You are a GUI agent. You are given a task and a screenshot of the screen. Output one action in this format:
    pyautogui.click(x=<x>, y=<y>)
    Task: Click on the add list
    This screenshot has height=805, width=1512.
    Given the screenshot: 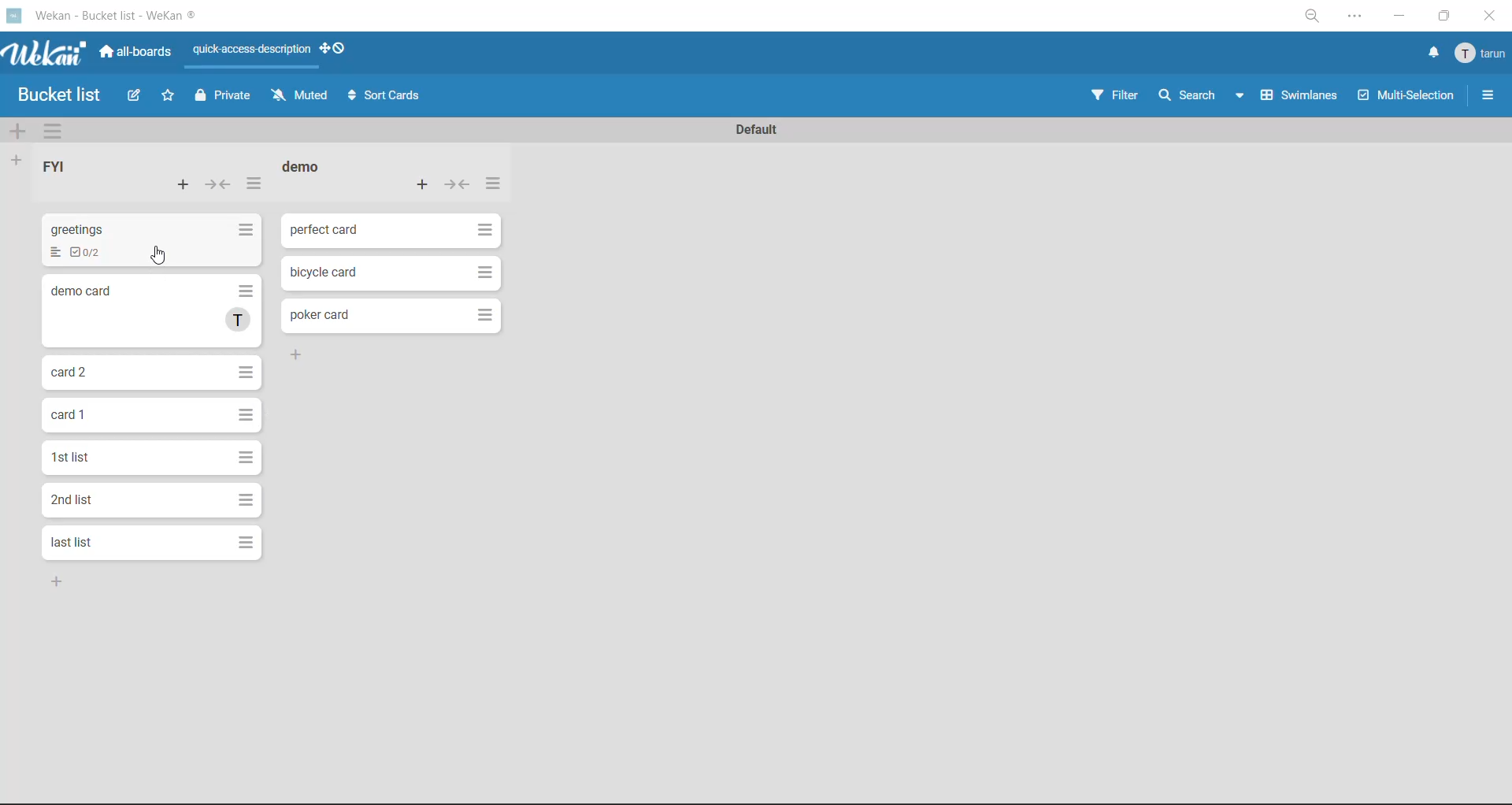 What is the action you would take?
    pyautogui.click(x=17, y=161)
    